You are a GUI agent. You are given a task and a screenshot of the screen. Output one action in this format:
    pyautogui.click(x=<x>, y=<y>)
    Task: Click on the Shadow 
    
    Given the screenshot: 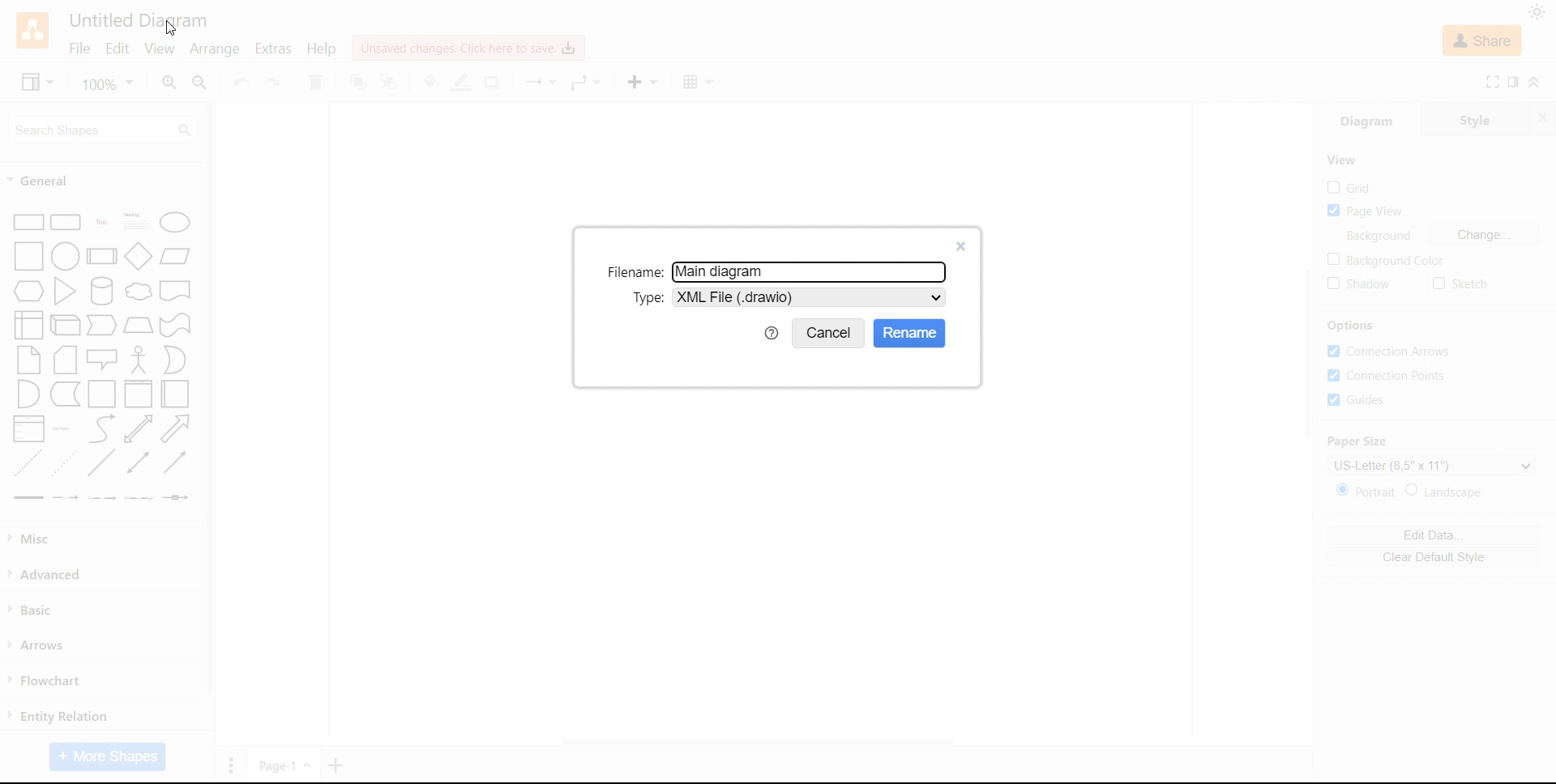 What is the action you would take?
    pyautogui.click(x=494, y=83)
    